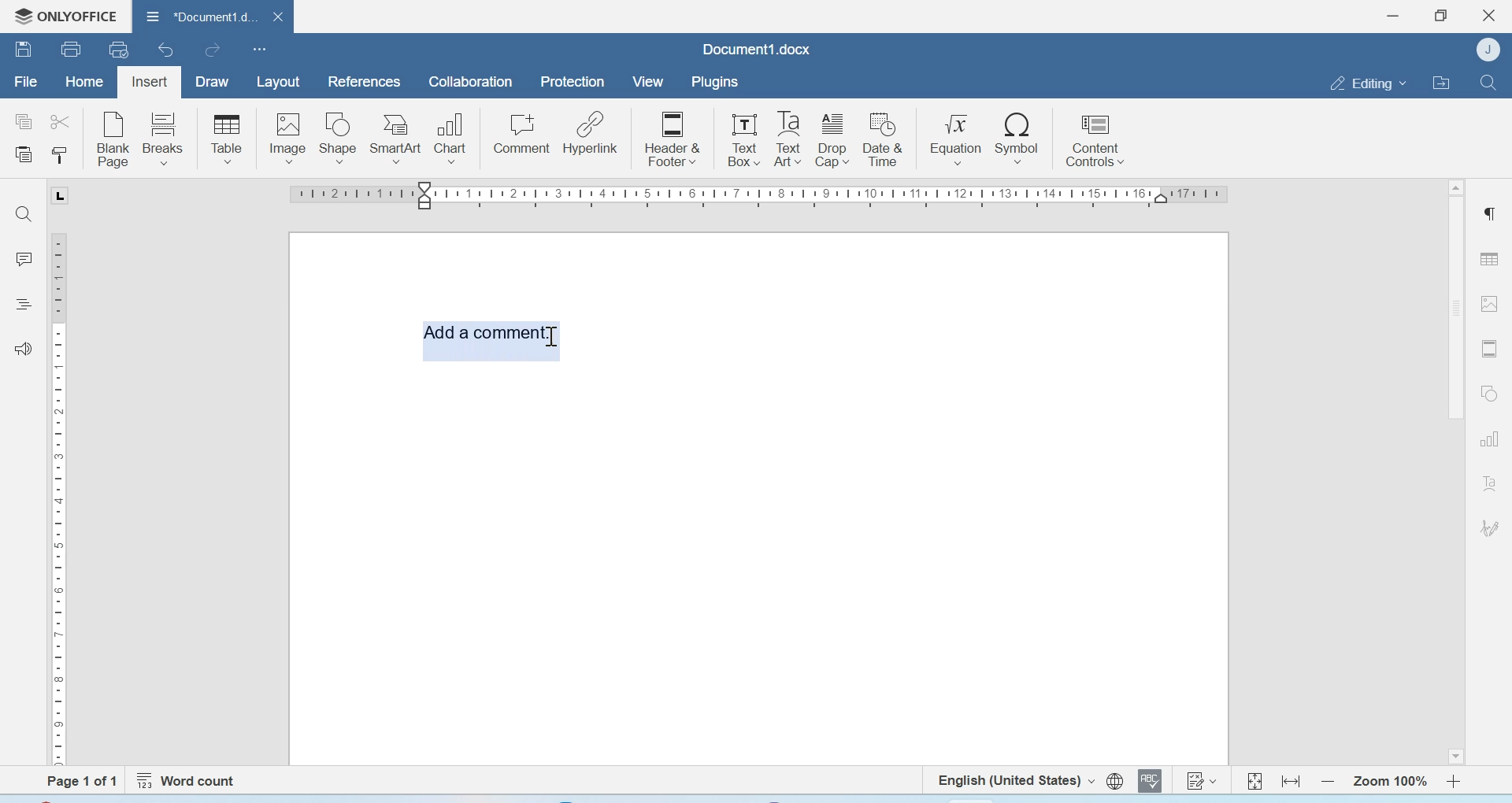 The image size is (1512, 803). I want to click on Maximize, so click(1440, 16).